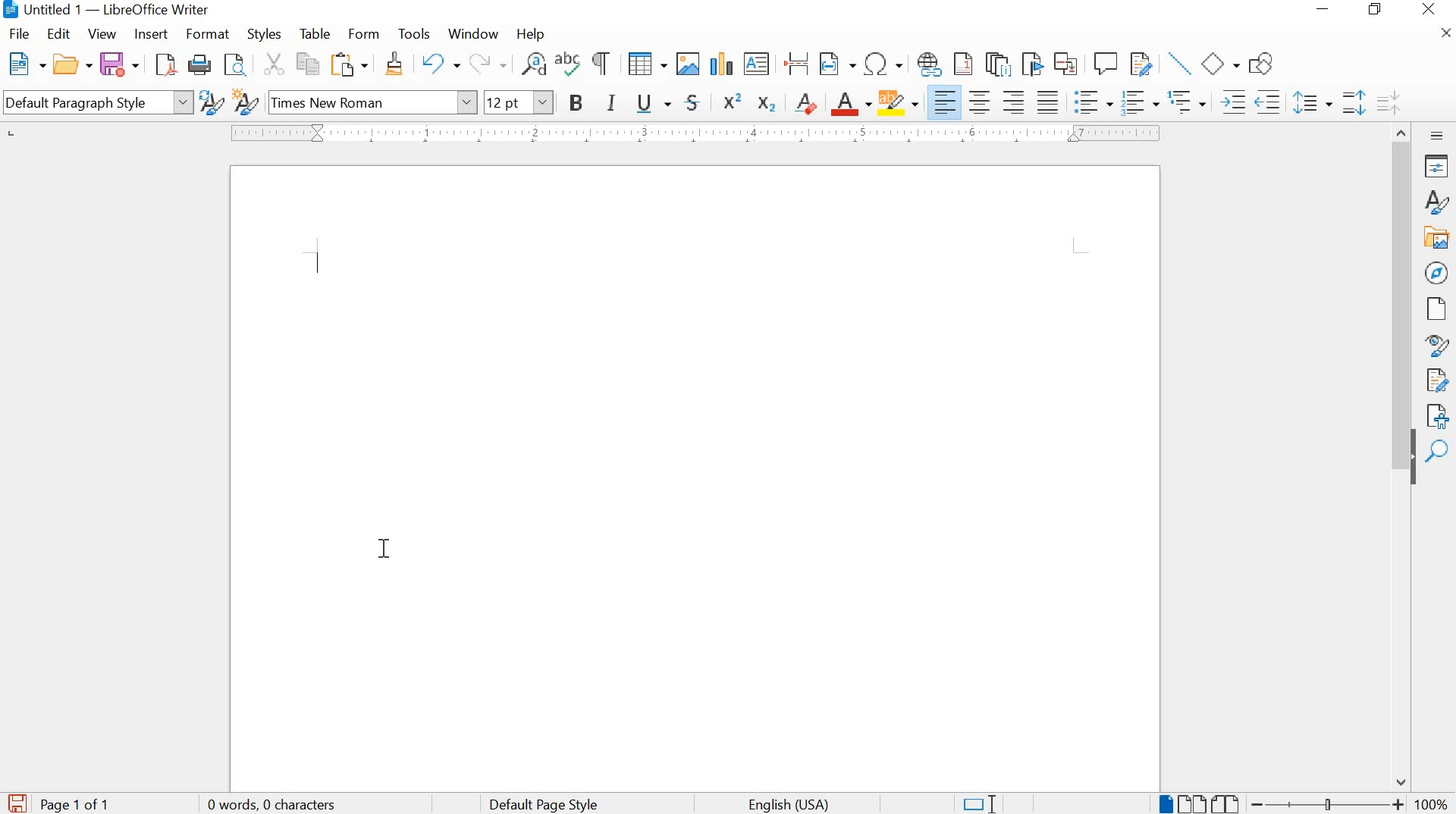 The image size is (1456, 814). Describe the element at coordinates (1439, 414) in the screenshot. I see `ACCESSIBILITY CHECK` at that location.